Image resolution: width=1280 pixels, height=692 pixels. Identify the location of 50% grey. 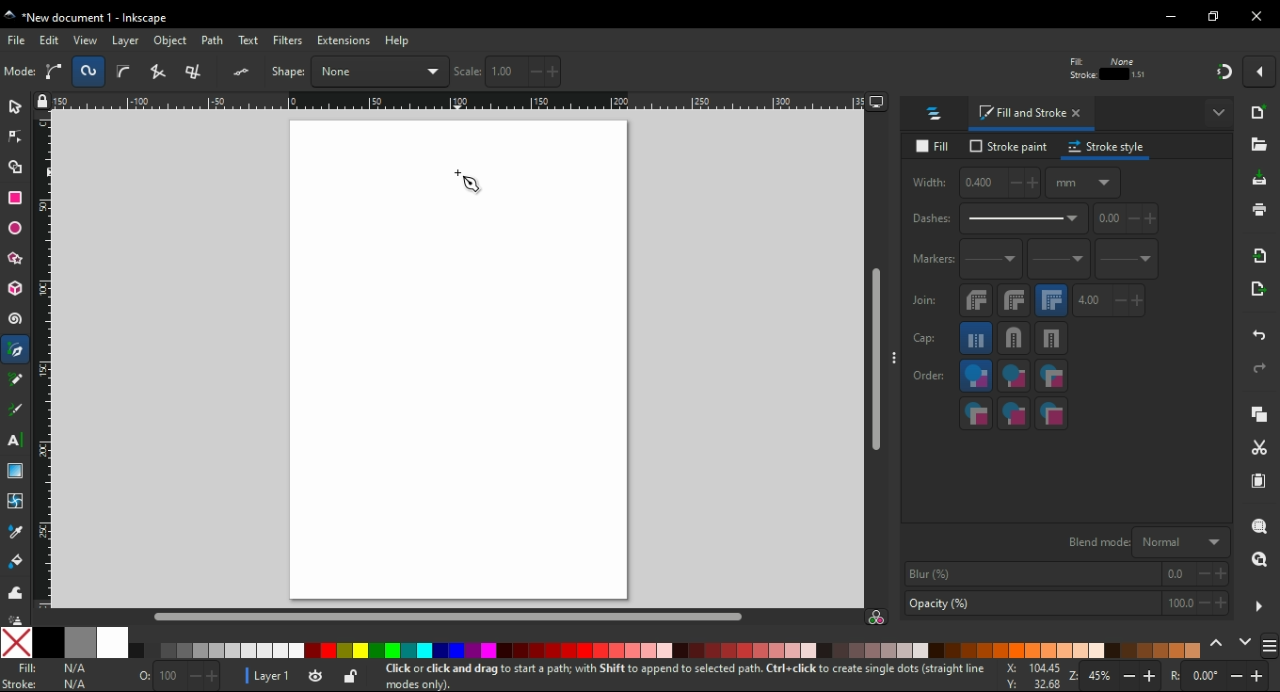
(79, 642).